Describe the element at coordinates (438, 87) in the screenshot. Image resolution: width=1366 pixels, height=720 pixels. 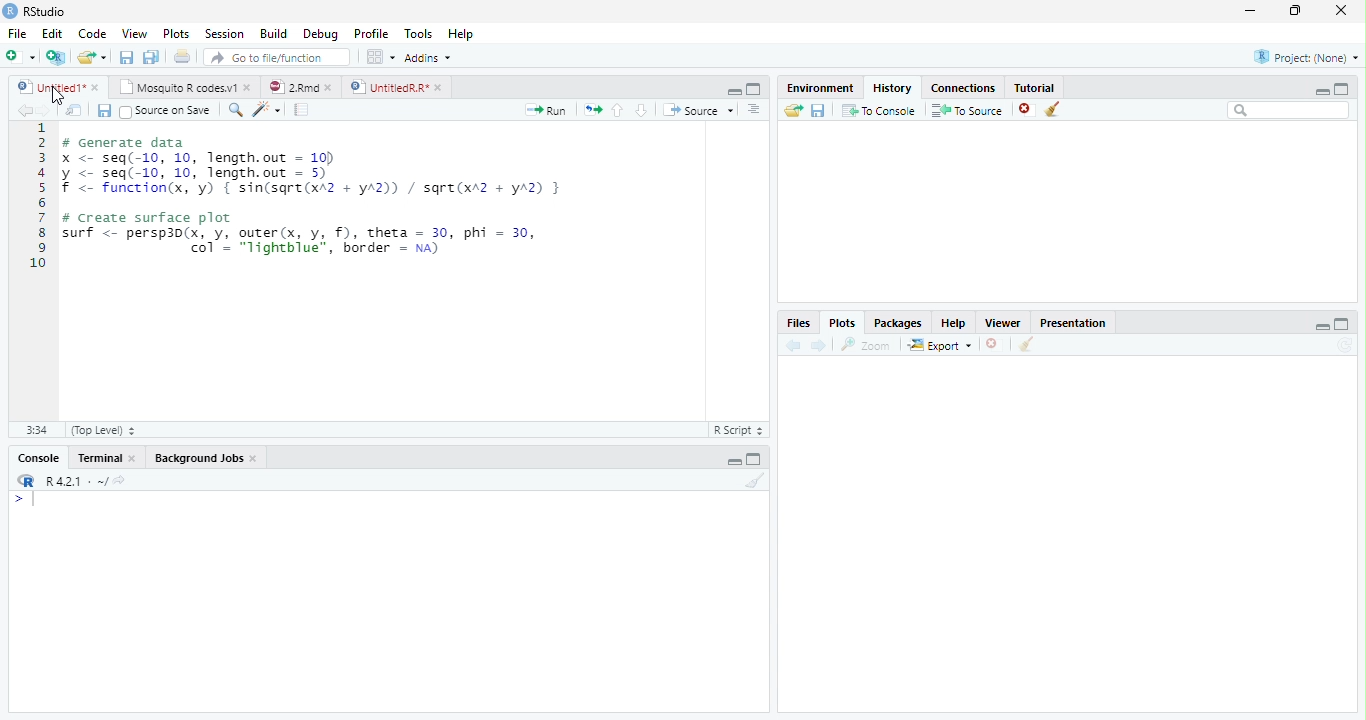
I see `close` at that location.